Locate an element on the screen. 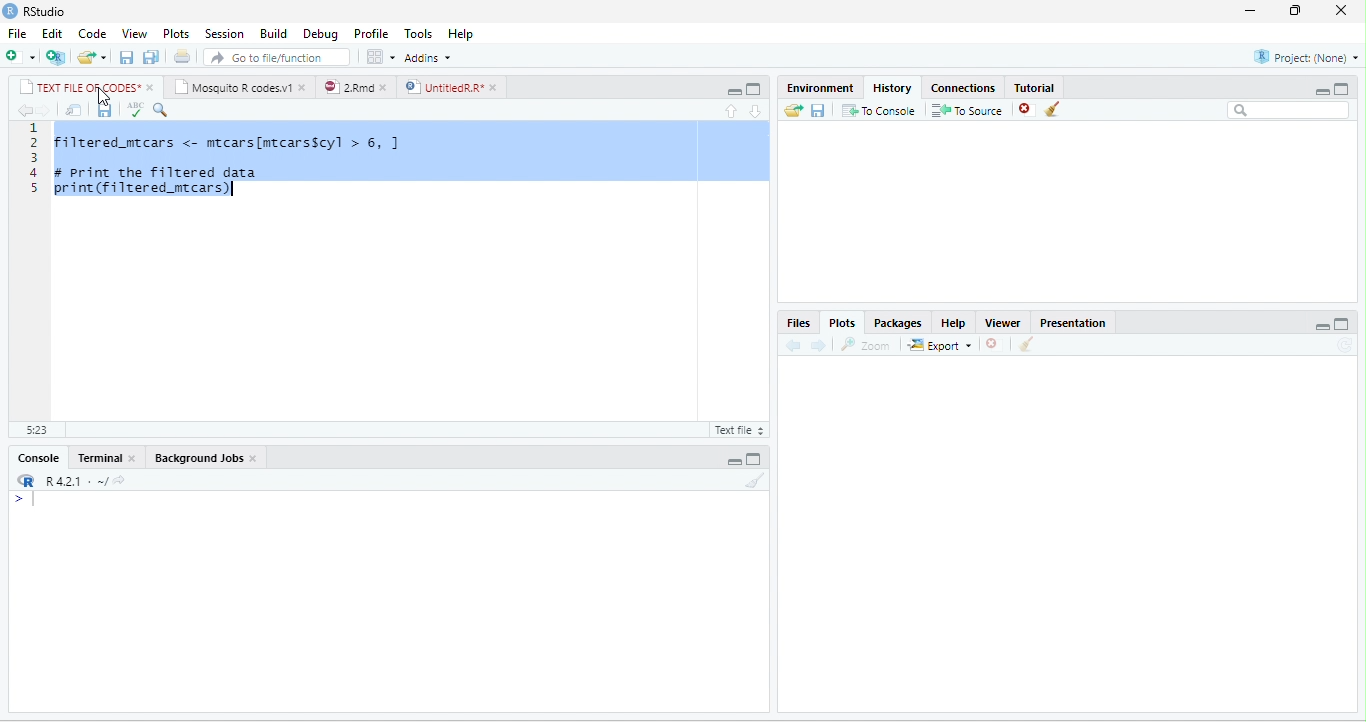  Packages is located at coordinates (898, 323).